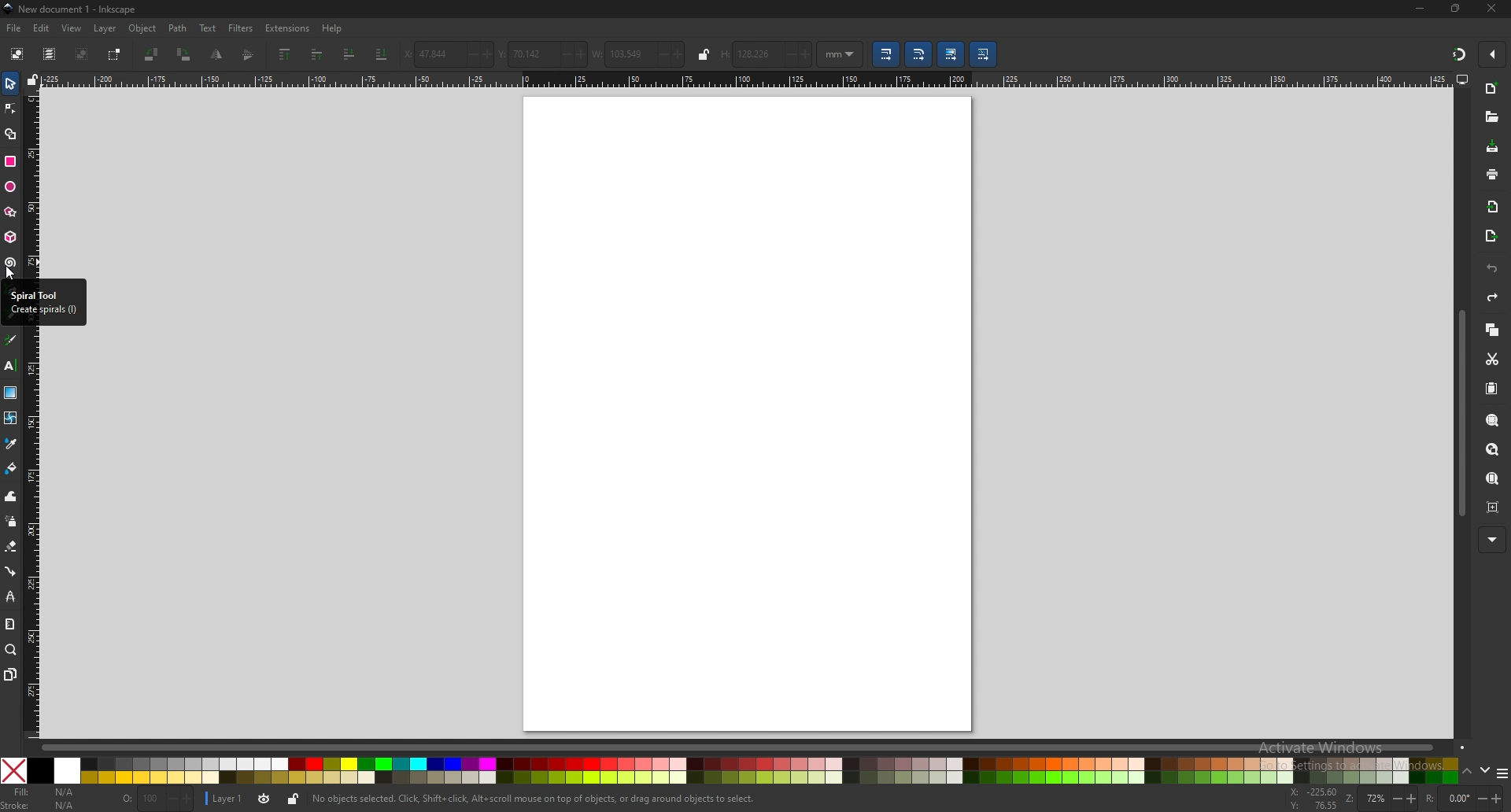  What do you see at coordinates (1465, 799) in the screenshot?
I see `R: 0.00` at bounding box center [1465, 799].